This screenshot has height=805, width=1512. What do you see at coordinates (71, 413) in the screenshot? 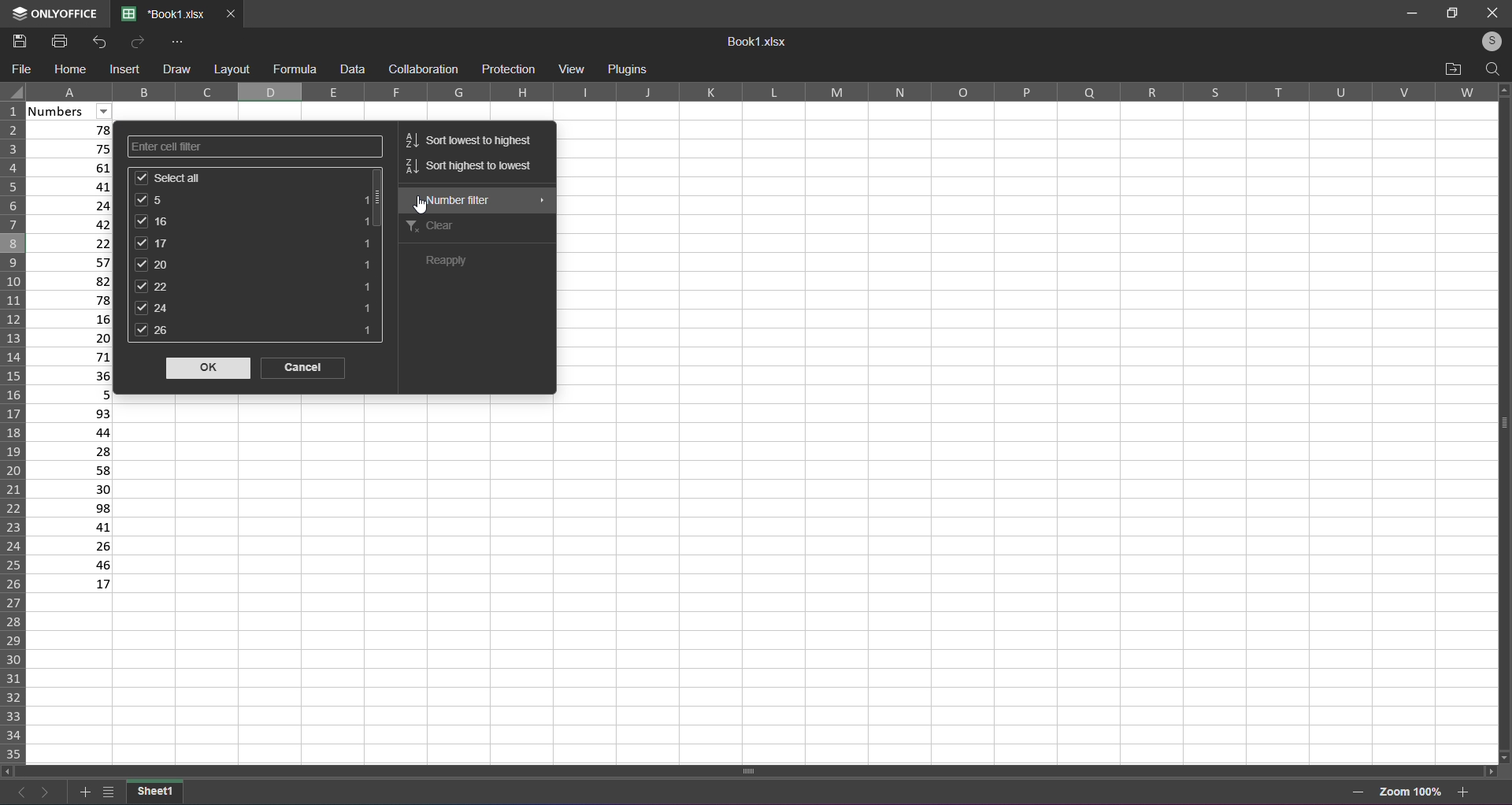
I see `93` at bounding box center [71, 413].